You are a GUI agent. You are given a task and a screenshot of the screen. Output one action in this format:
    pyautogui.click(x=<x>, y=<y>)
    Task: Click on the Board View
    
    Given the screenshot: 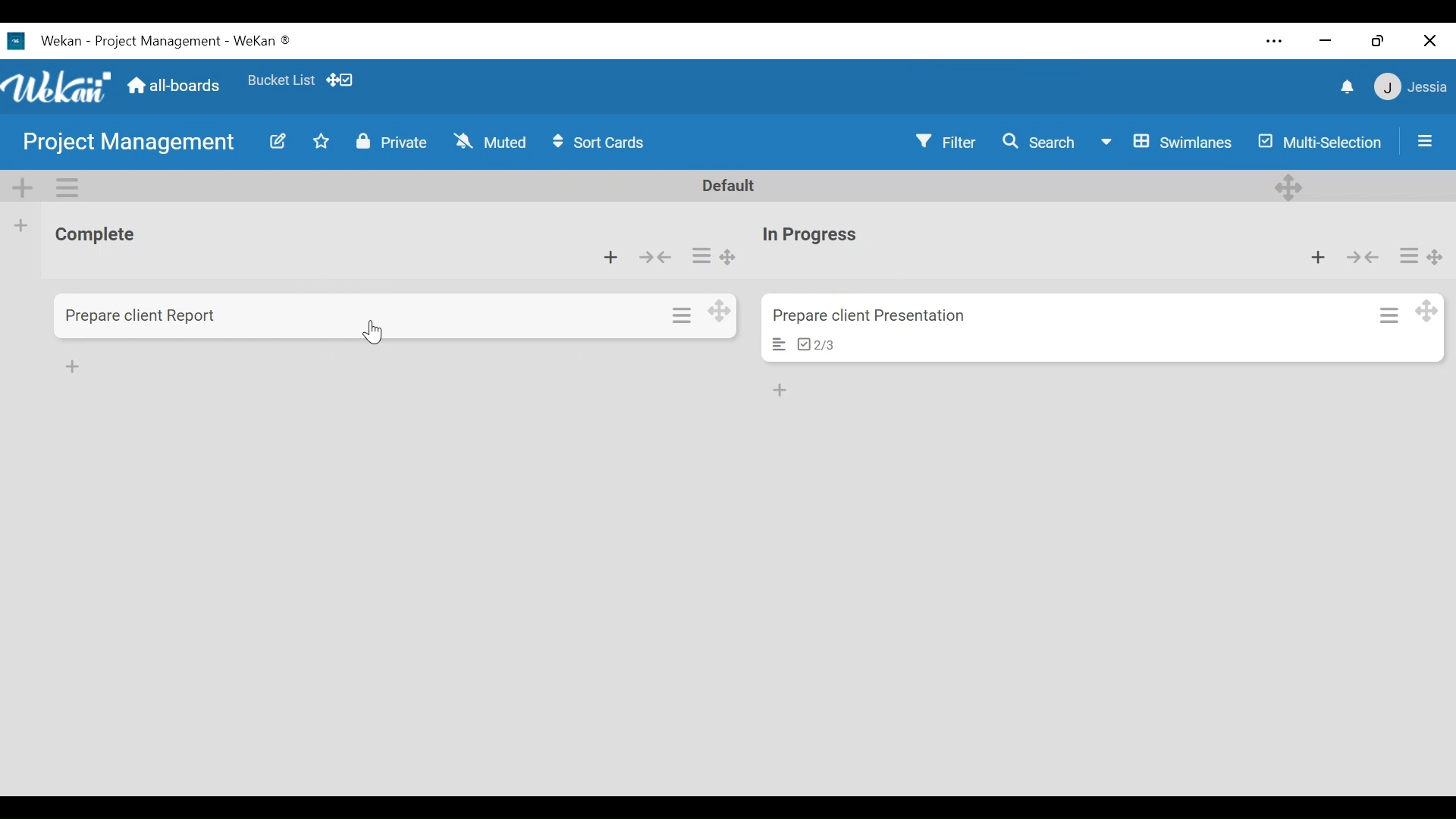 What is the action you would take?
    pyautogui.click(x=1164, y=143)
    